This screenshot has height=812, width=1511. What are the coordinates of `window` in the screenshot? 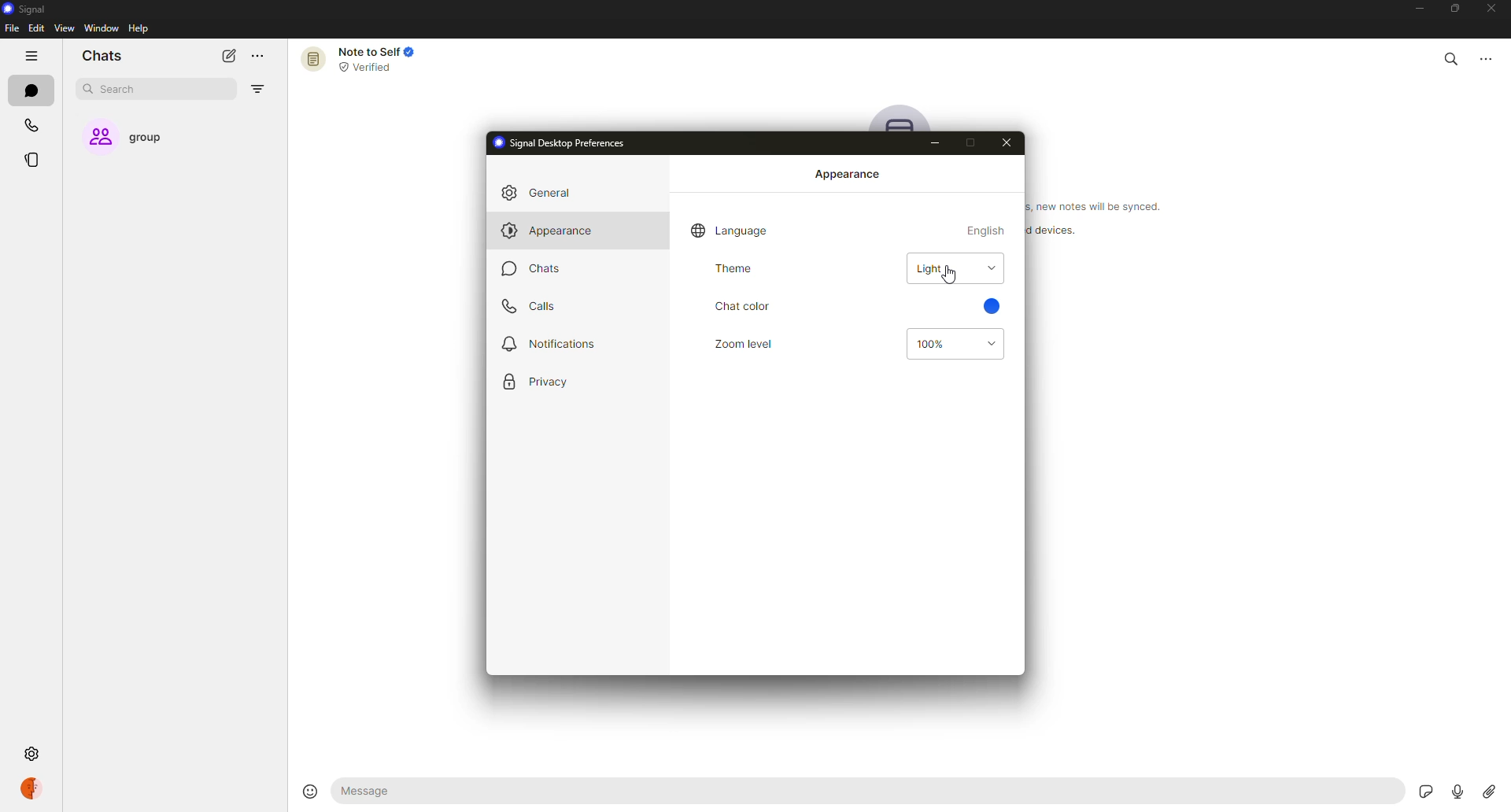 It's located at (102, 29).